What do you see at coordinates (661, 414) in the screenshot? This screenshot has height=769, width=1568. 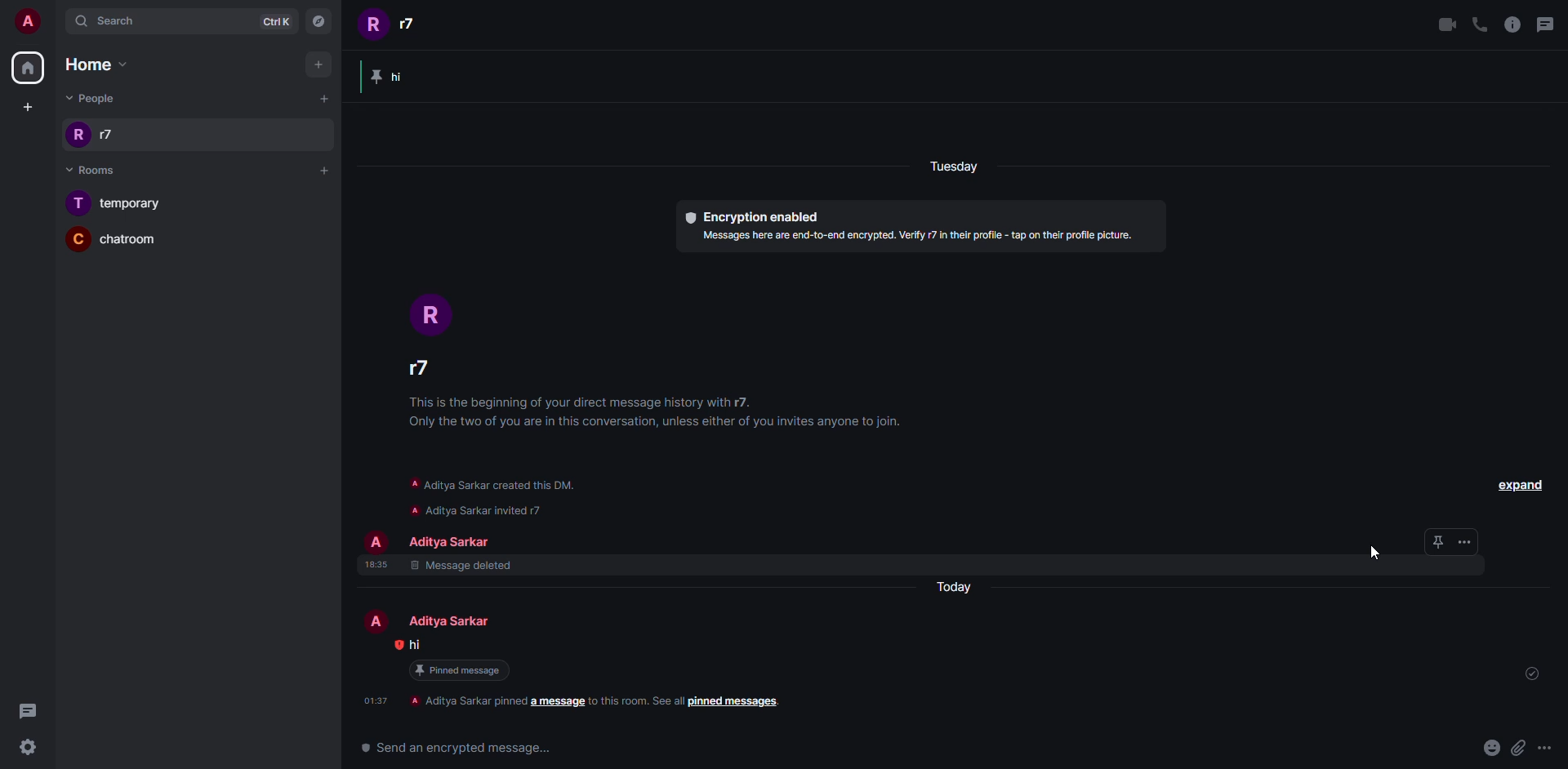 I see `info` at bounding box center [661, 414].